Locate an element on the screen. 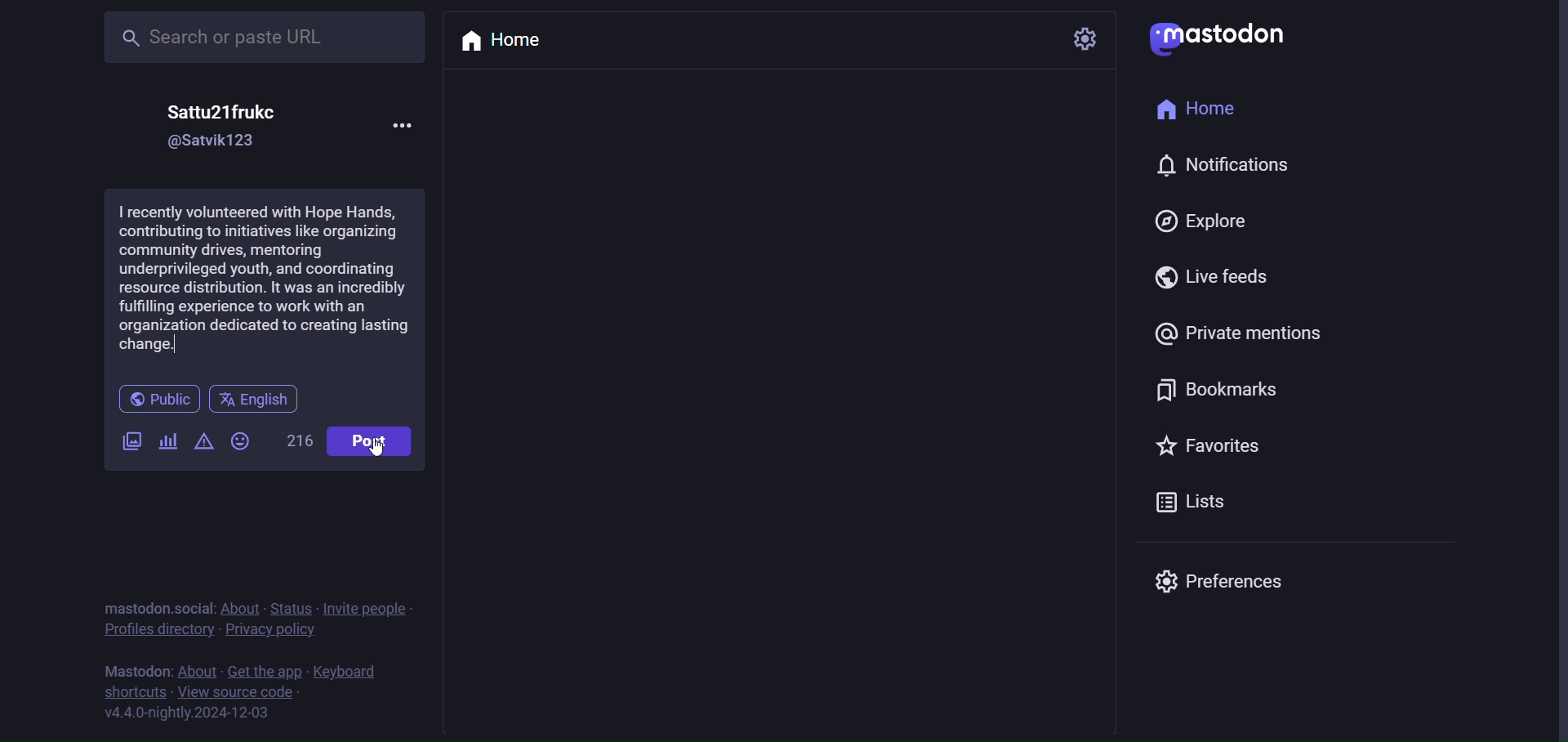 This screenshot has width=1568, height=742. notification is located at coordinates (1228, 165).